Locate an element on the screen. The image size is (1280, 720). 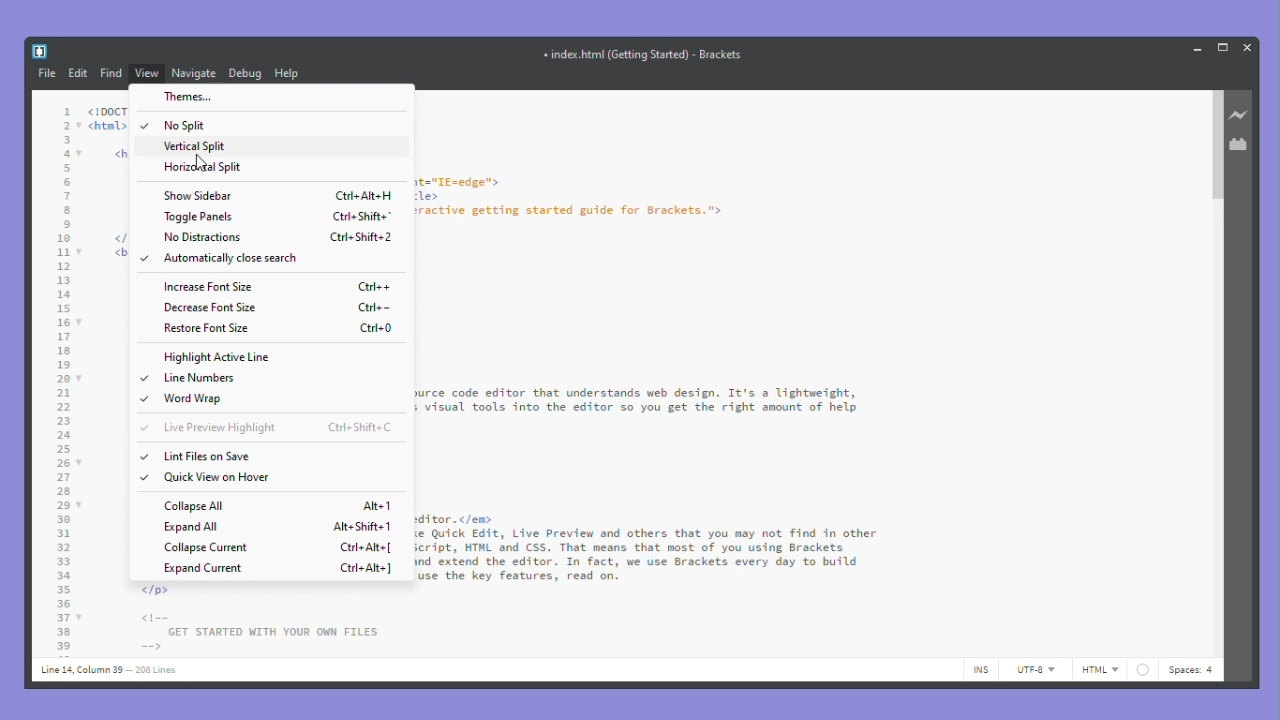
code fold is located at coordinates (80, 321).